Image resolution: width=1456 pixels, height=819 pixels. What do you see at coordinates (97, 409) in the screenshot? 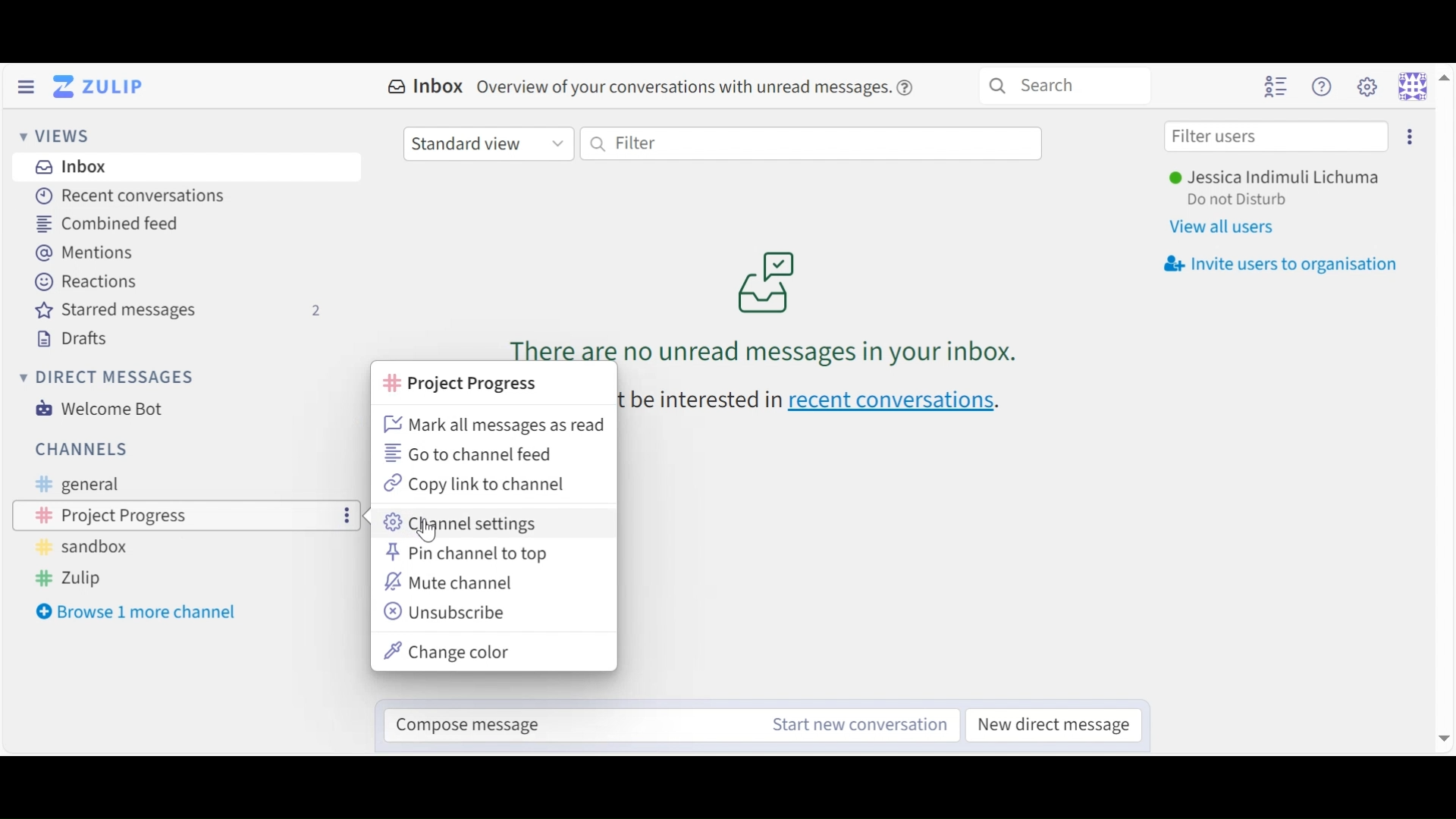
I see `Welcome Bot` at bounding box center [97, 409].